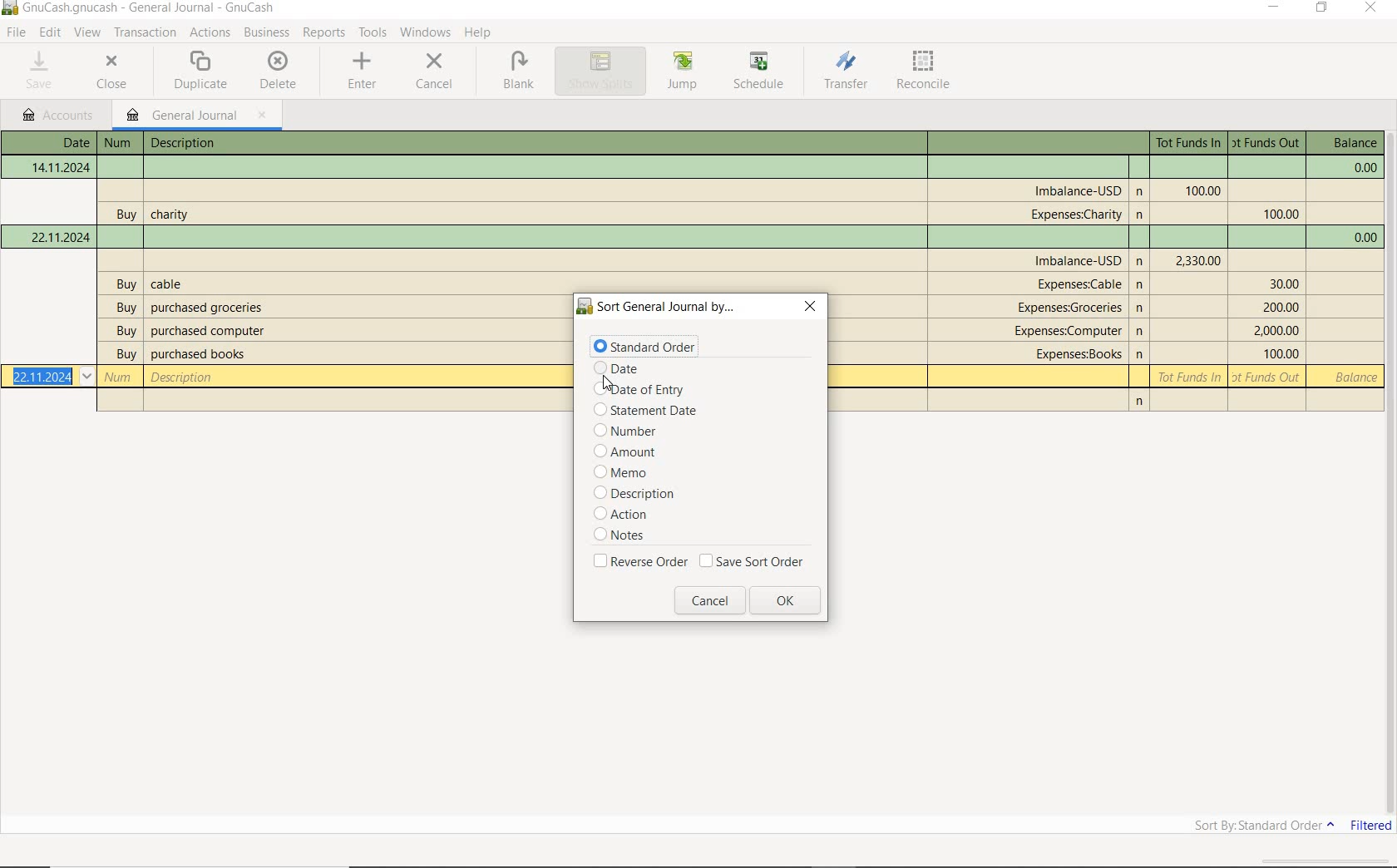 The image size is (1397, 868). What do you see at coordinates (363, 72) in the screenshot?
I see `ENTER` at bounding box center [363, 72].